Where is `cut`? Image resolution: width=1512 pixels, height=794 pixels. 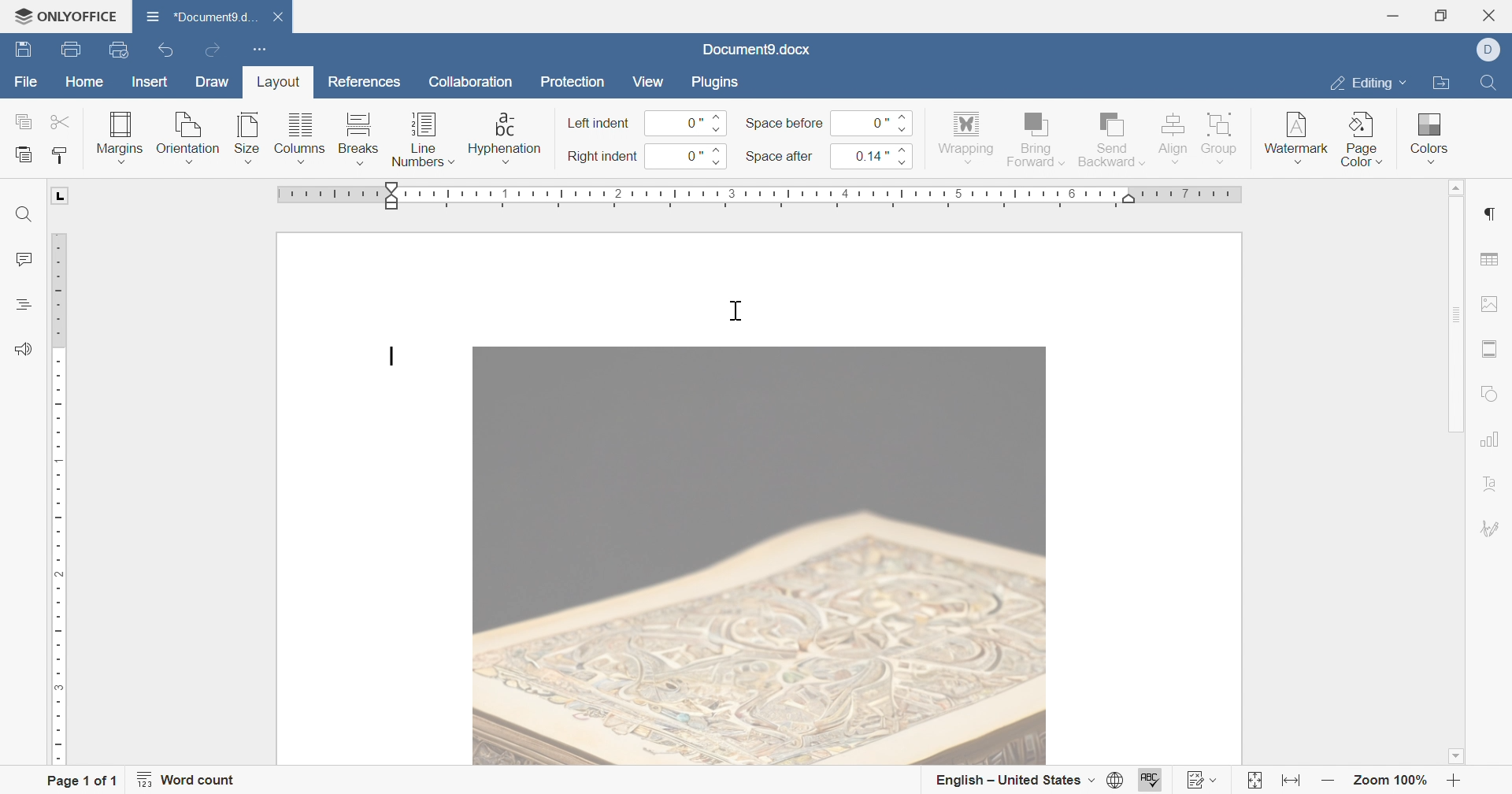
cut is located at coordinates (62, 121).